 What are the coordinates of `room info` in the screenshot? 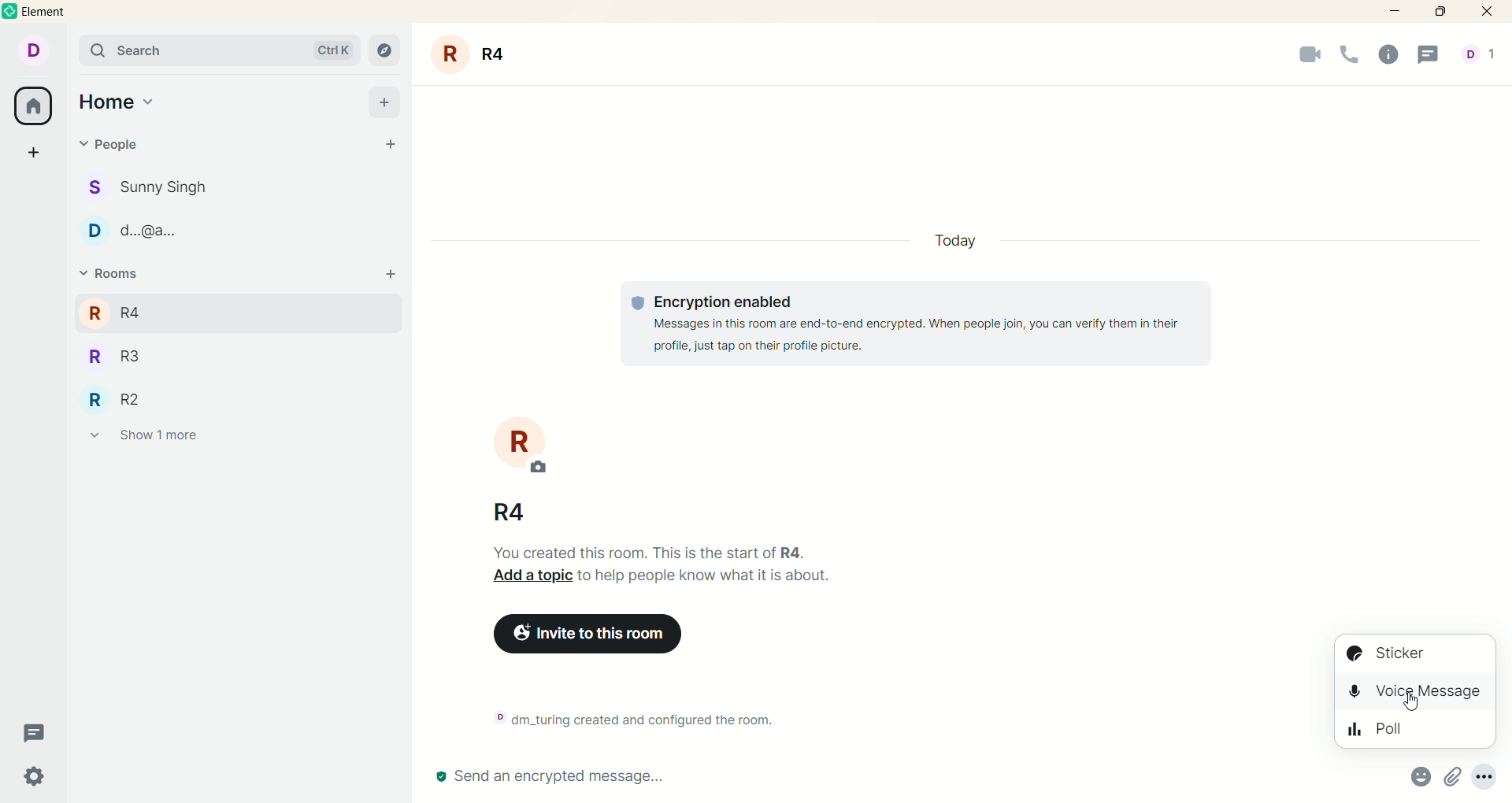 It's located at (1392, 56).